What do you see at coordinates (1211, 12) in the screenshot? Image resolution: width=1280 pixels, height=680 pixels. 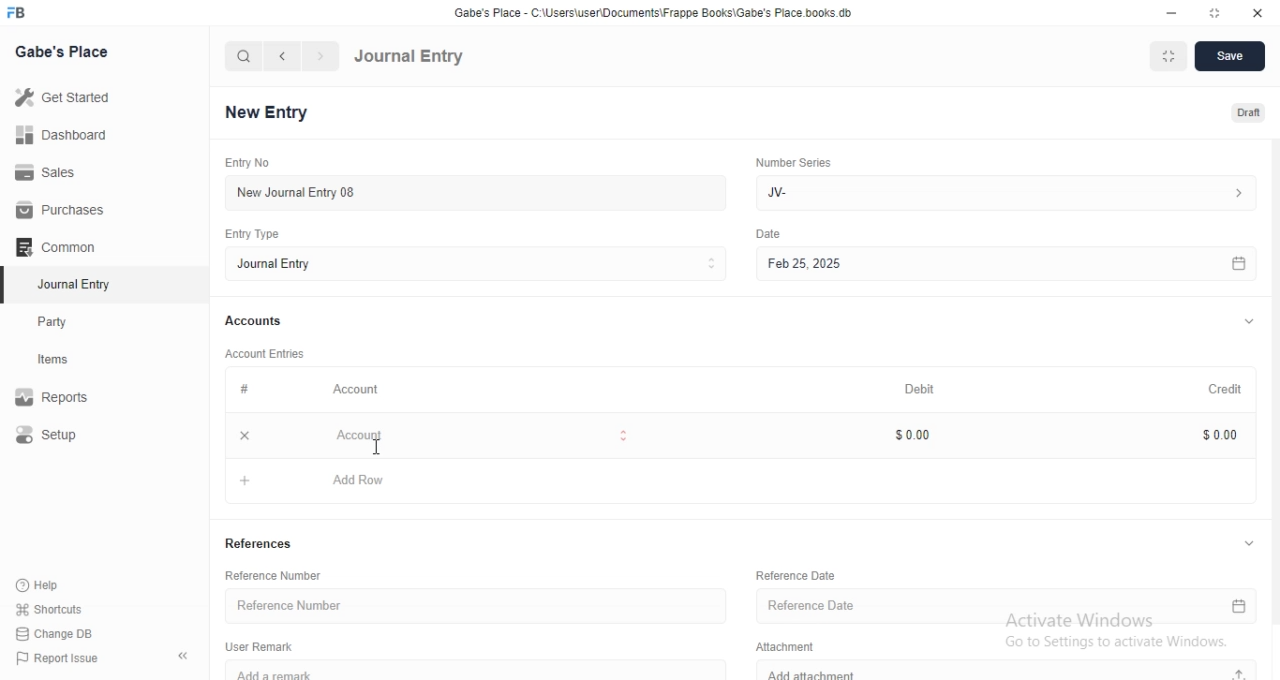 I see `resize` at bounding box center [1211, 12].